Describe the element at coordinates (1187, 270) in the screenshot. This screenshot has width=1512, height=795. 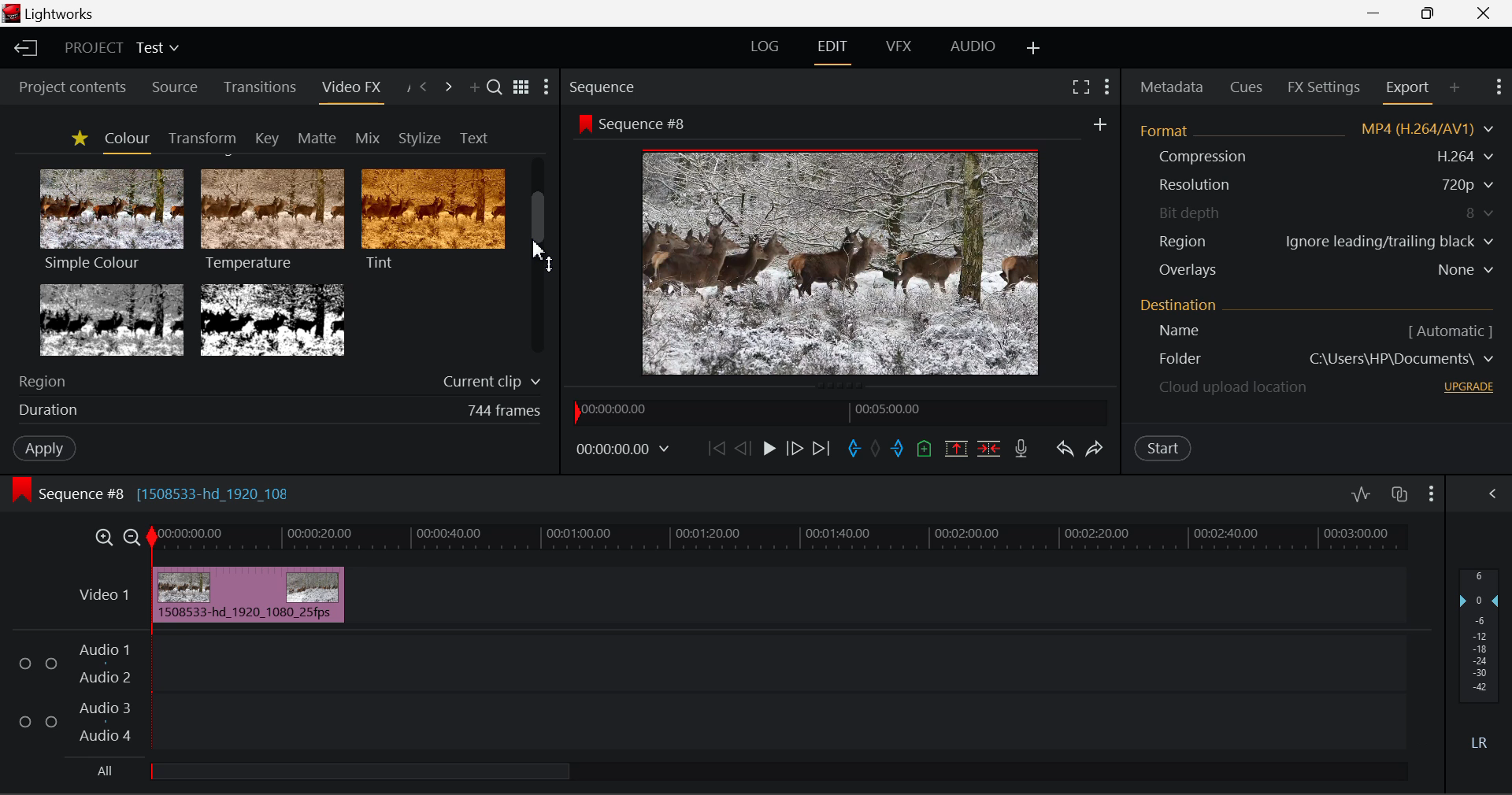
I see `Overlays` at that location.